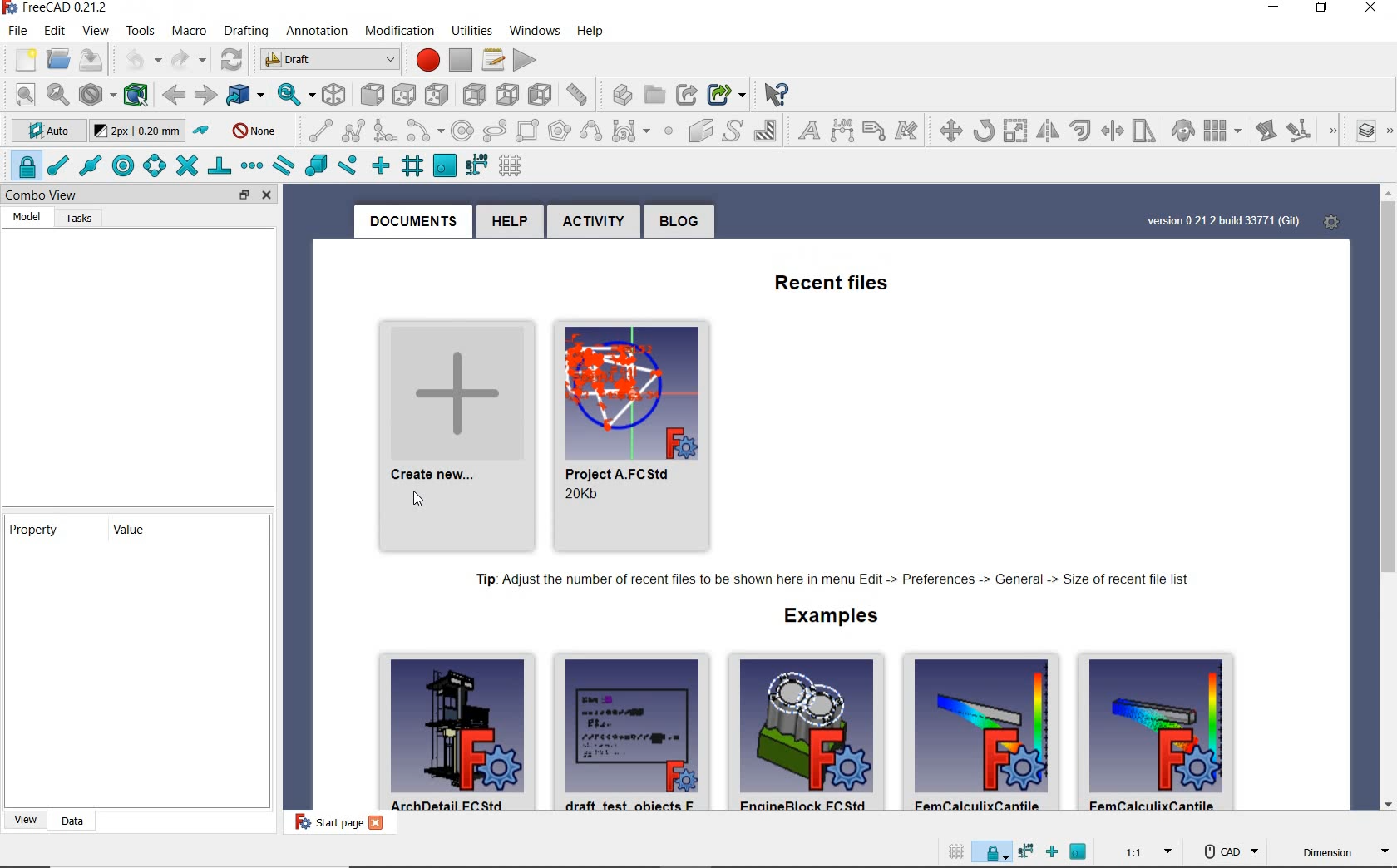 The width and height of the screenshot is (1397, 868). What do you see at coordinates (1224, 851) in the screenshot?
I see `CAD Navigation style` at bounding box center [1224, 851].